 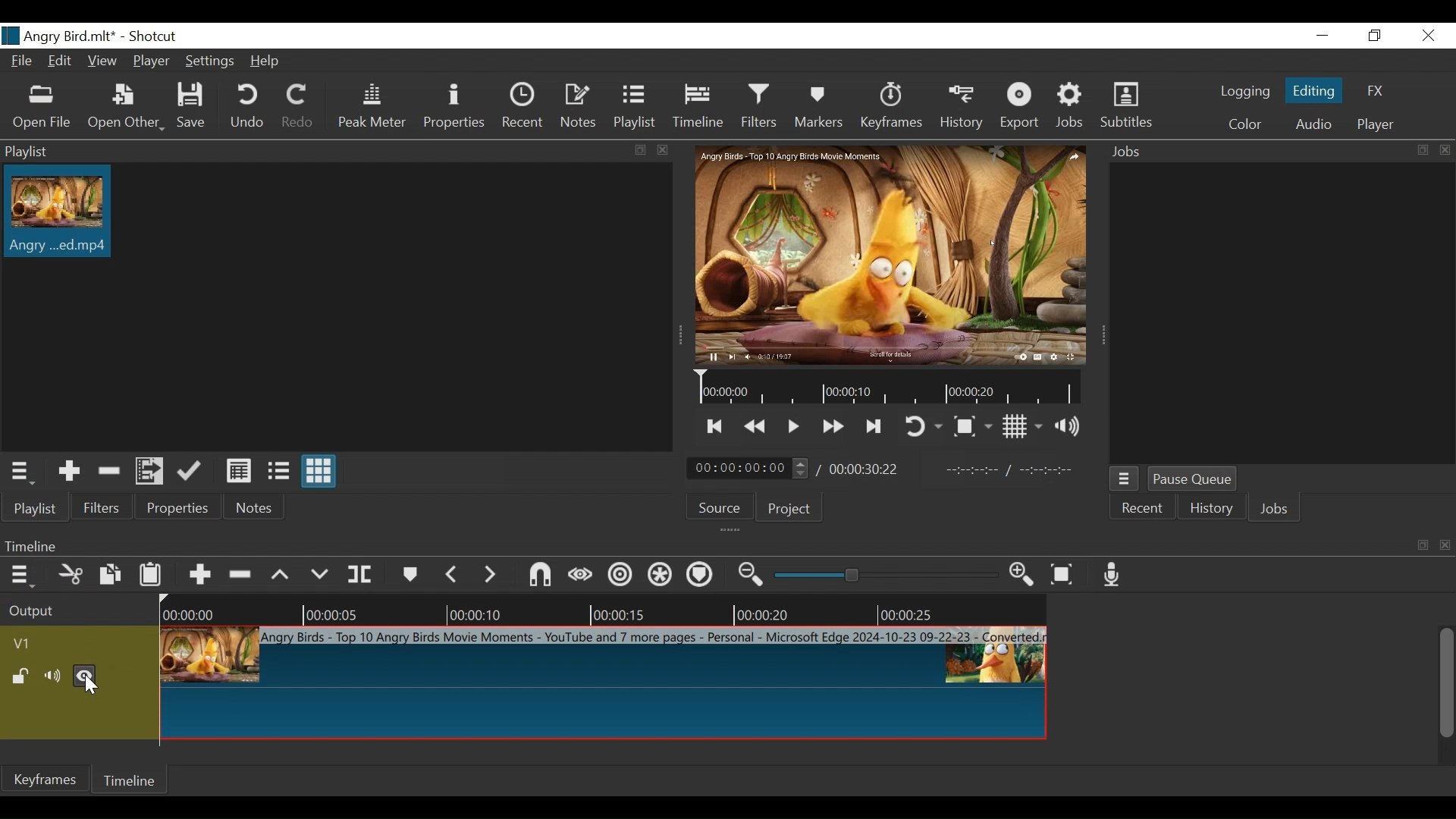 What do you see at coordinates (889, 386) in the screenshot?
I see `Timeline` at bounding box center [889, 386].